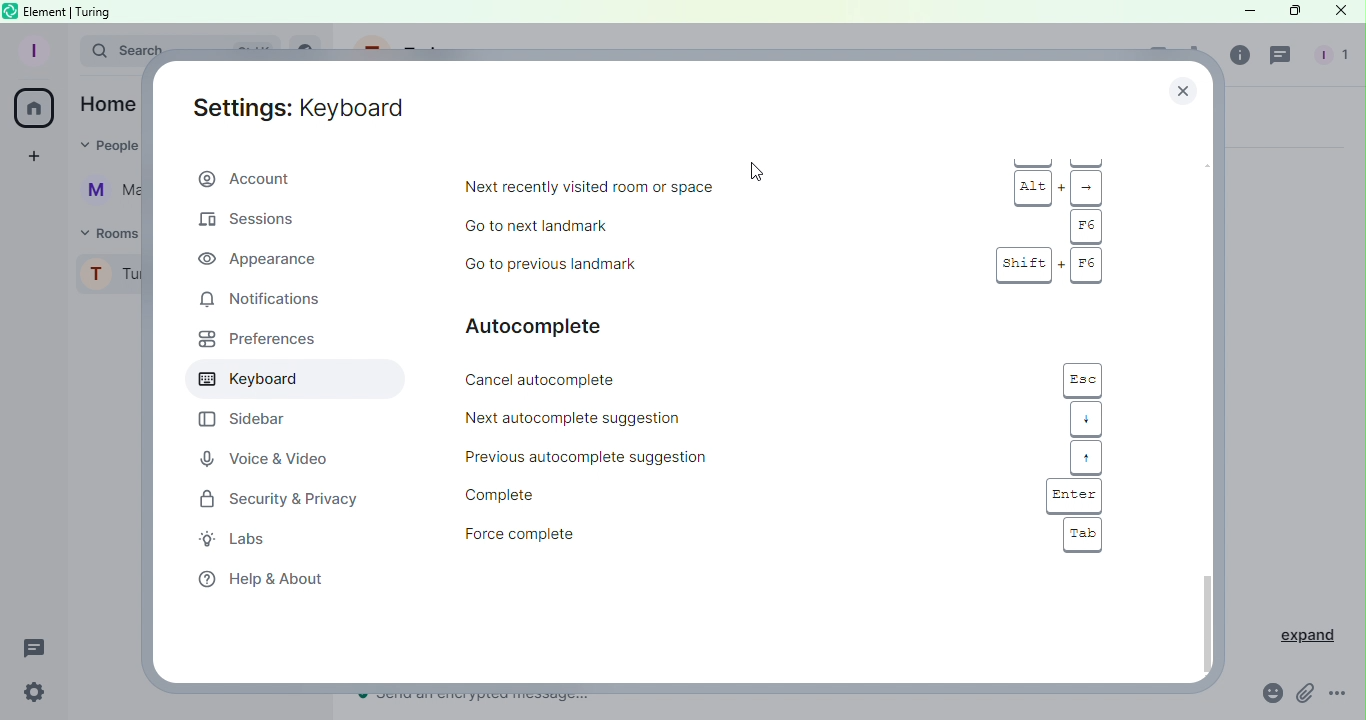  Describe the element at coordinates (660, 457) in the screenshot. I see `Previous autocomplete suggestions` at that location.